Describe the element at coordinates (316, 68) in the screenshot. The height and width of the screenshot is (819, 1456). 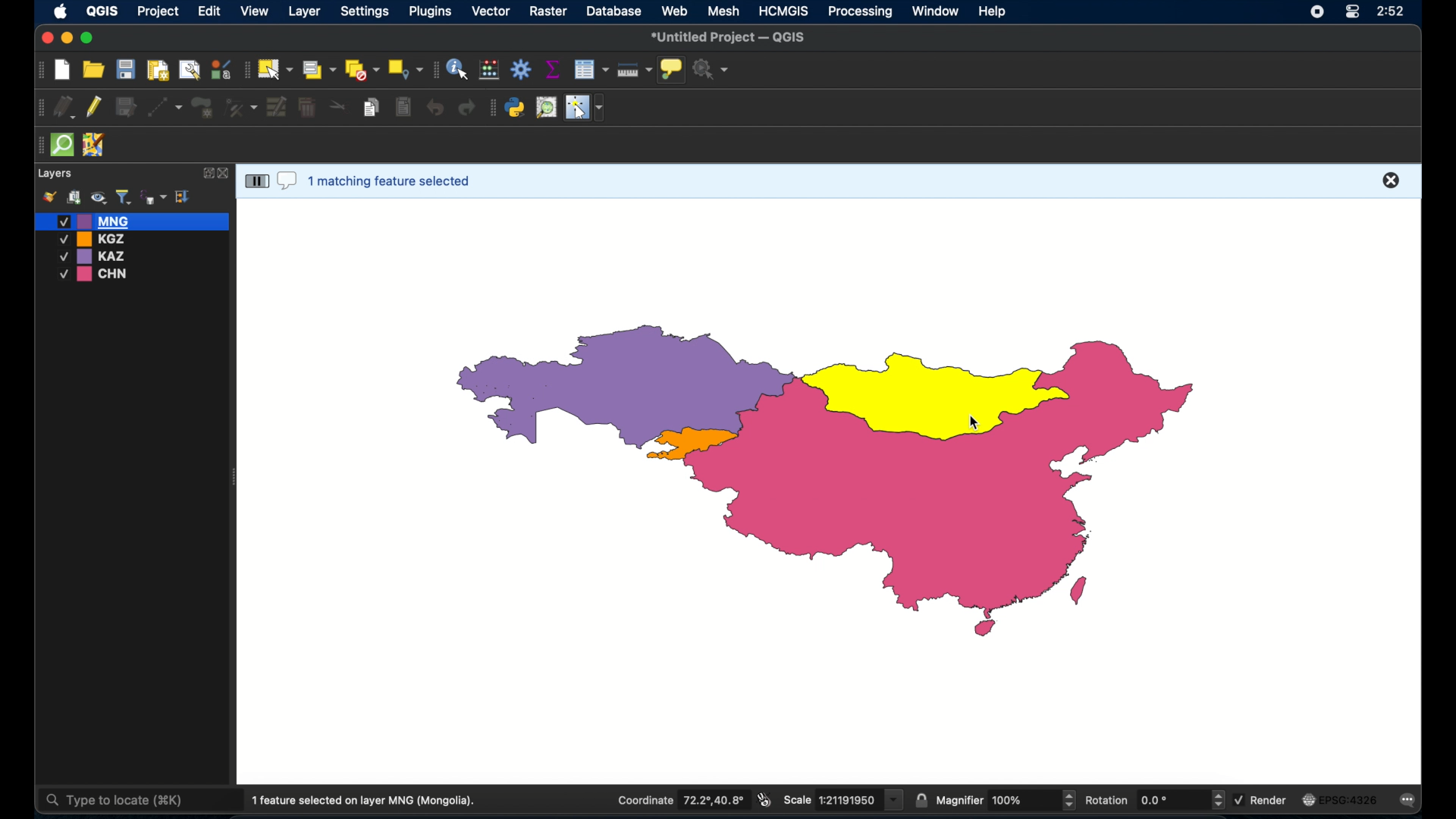
I see `select by area or single click` at that location.